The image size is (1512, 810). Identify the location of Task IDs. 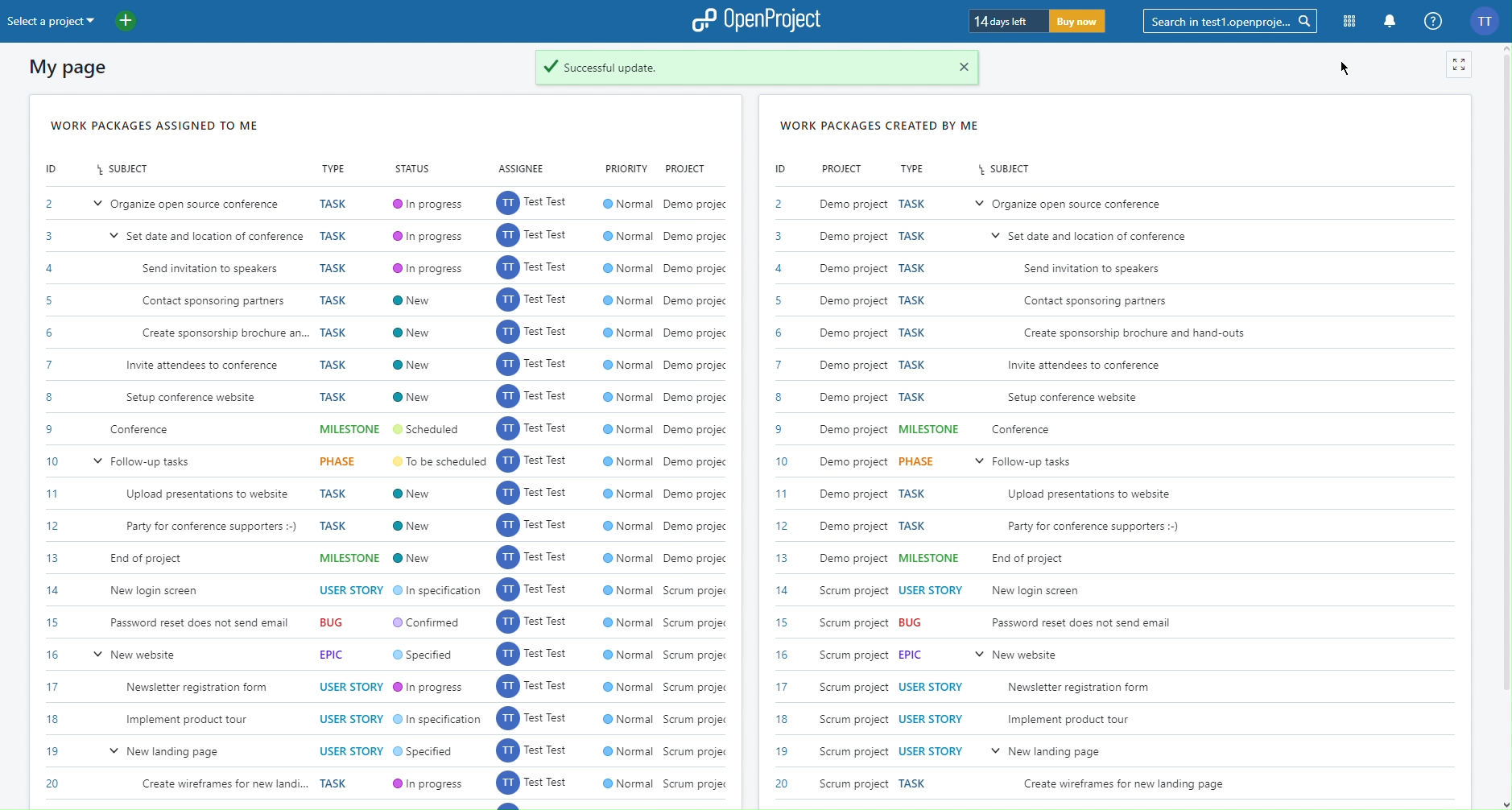
(48, 498).